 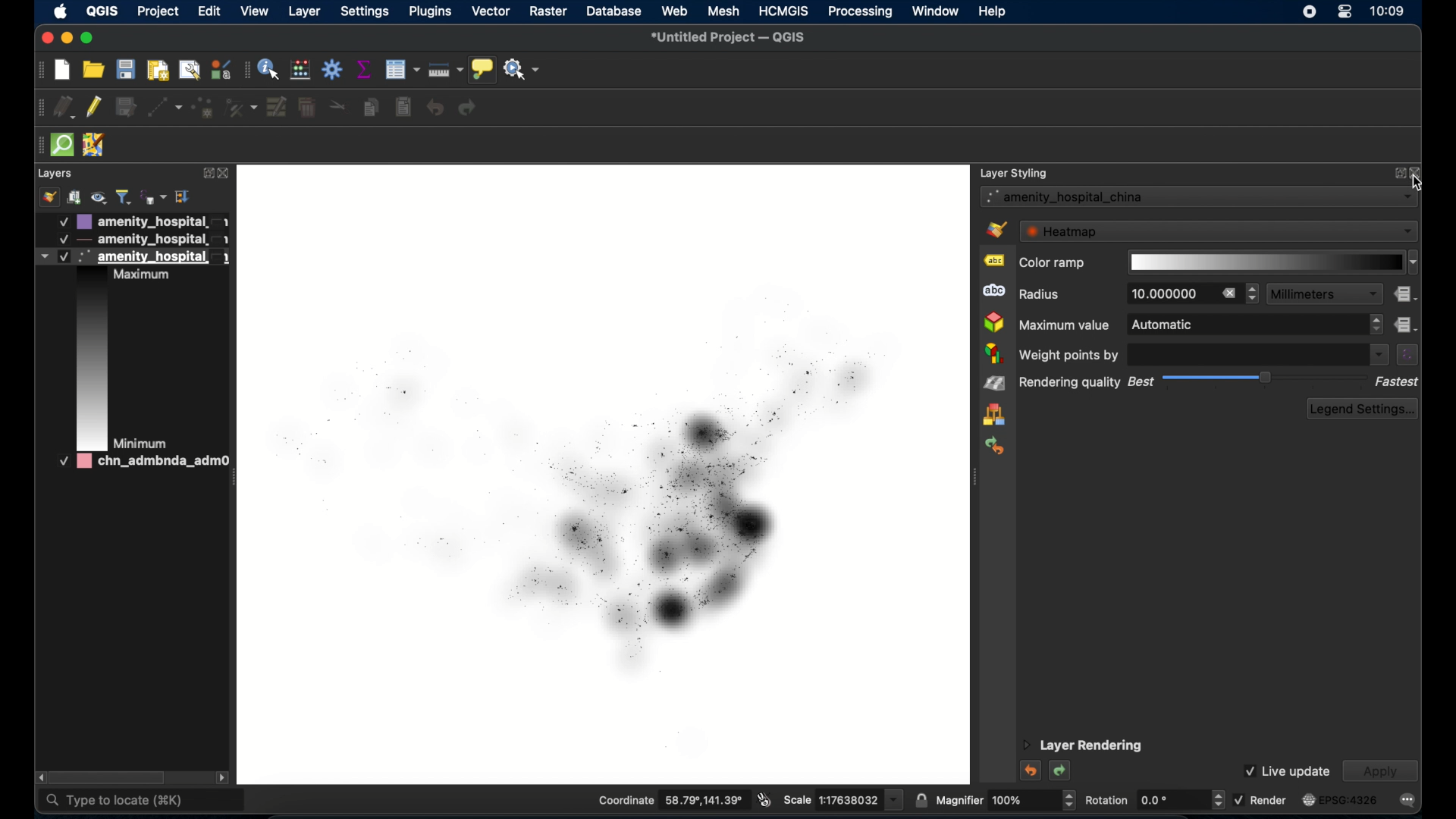 What do you see at coordinates (994, 353) in the screenshot?
I see `diagrams` at bounding box center [994, 353].